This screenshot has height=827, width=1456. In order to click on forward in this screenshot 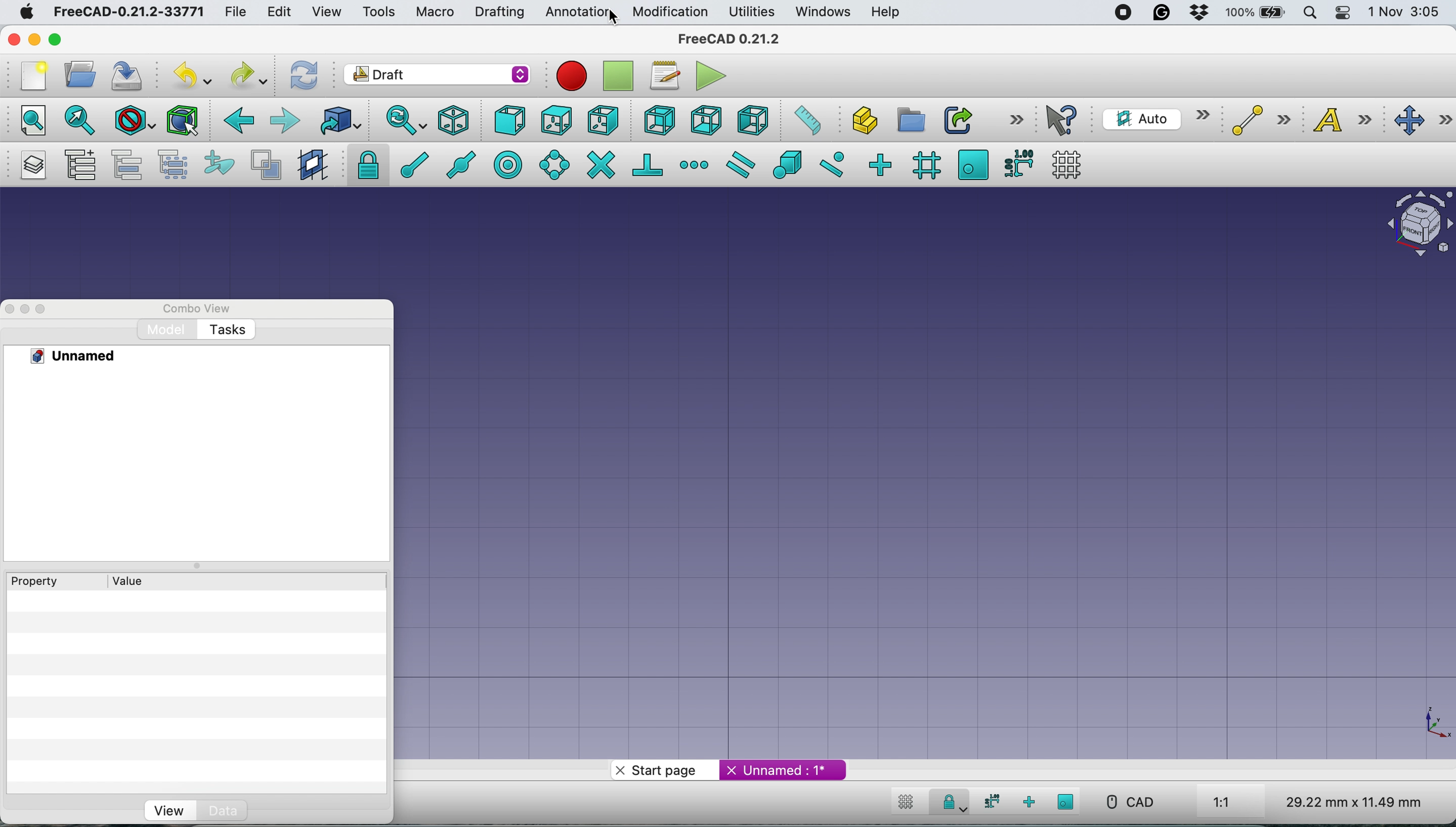, I will do `click(284, 121)`.